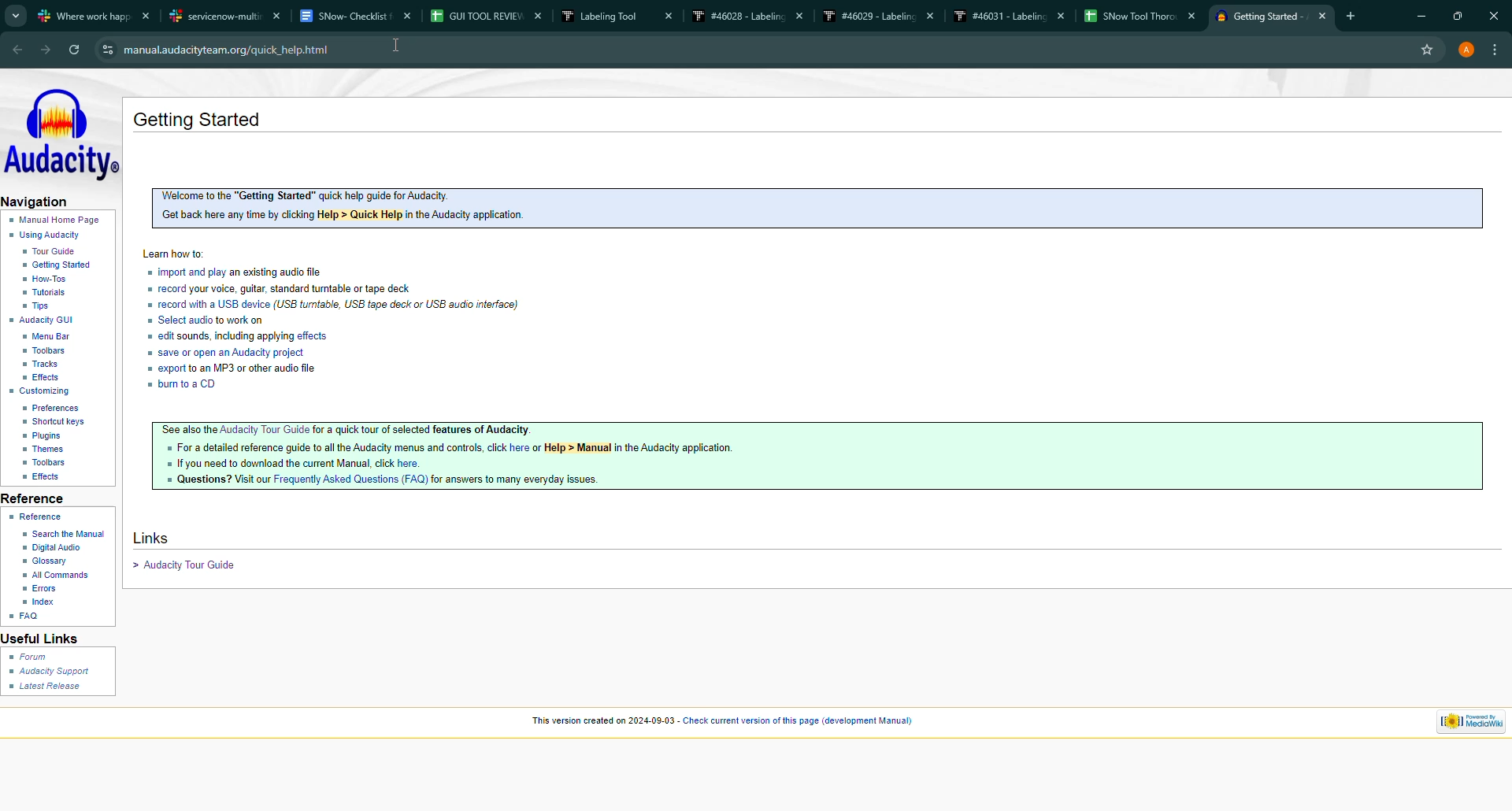  Describe the element at coordinates (224, 352) in the screenshot. I see `Save or Open an Audacity project` at that location.